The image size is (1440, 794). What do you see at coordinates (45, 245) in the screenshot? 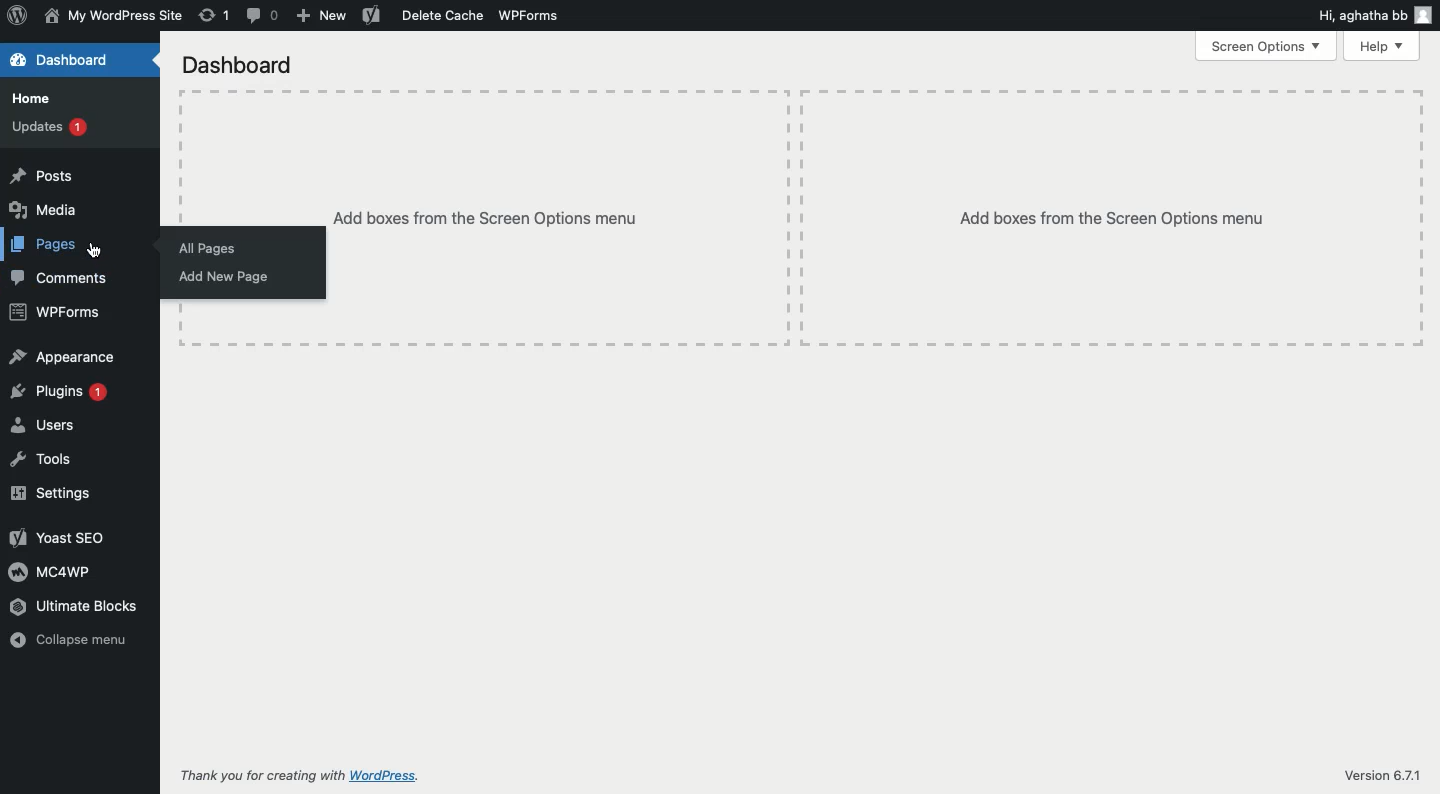
I see `Pages` at bounding box center [45, 245].